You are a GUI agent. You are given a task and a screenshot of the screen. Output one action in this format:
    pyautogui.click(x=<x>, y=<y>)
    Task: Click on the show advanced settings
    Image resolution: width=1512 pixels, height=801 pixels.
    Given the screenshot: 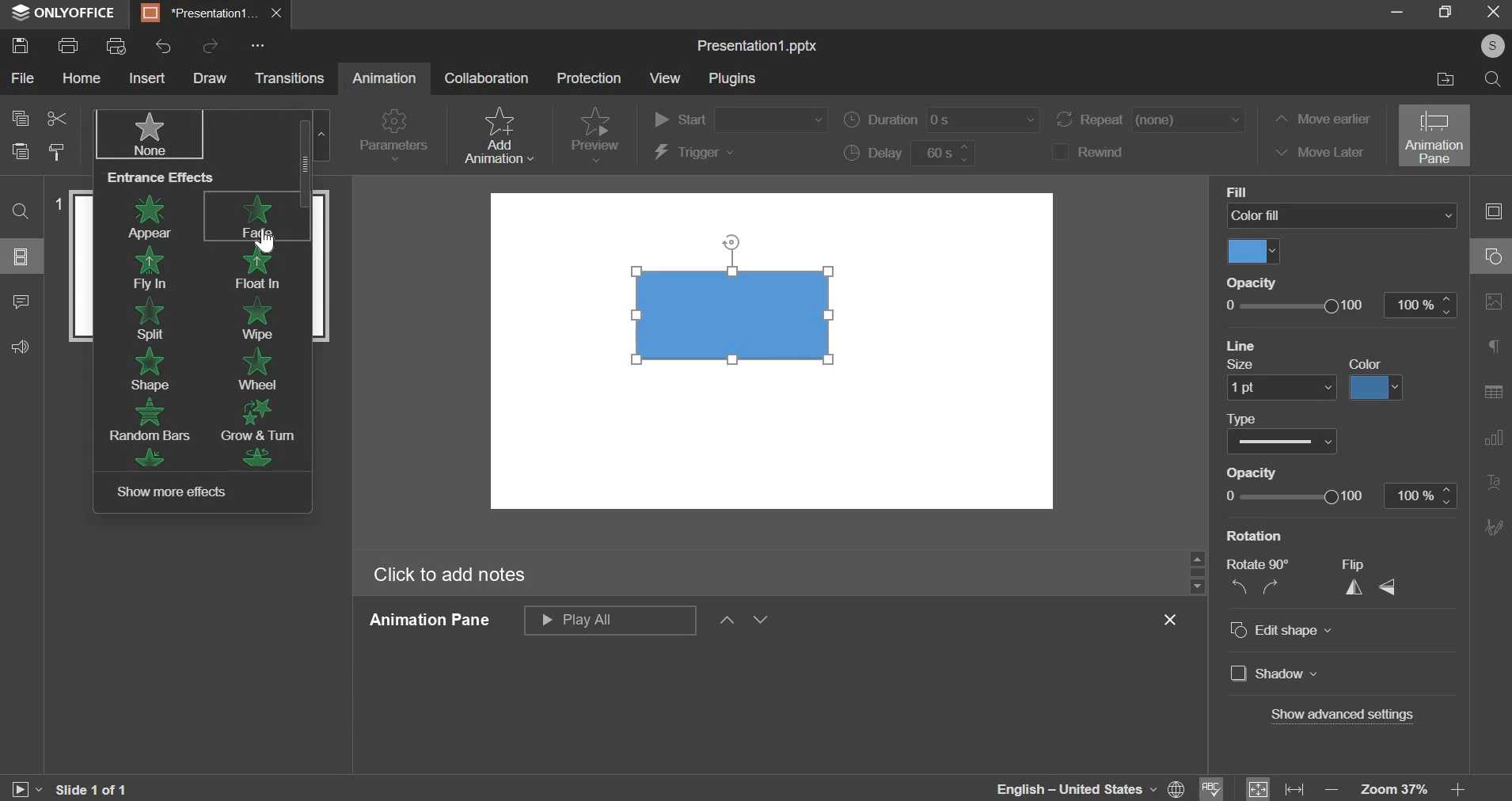 What is the action you would take?
    pyautogui.click(x=1342, y=716)
    